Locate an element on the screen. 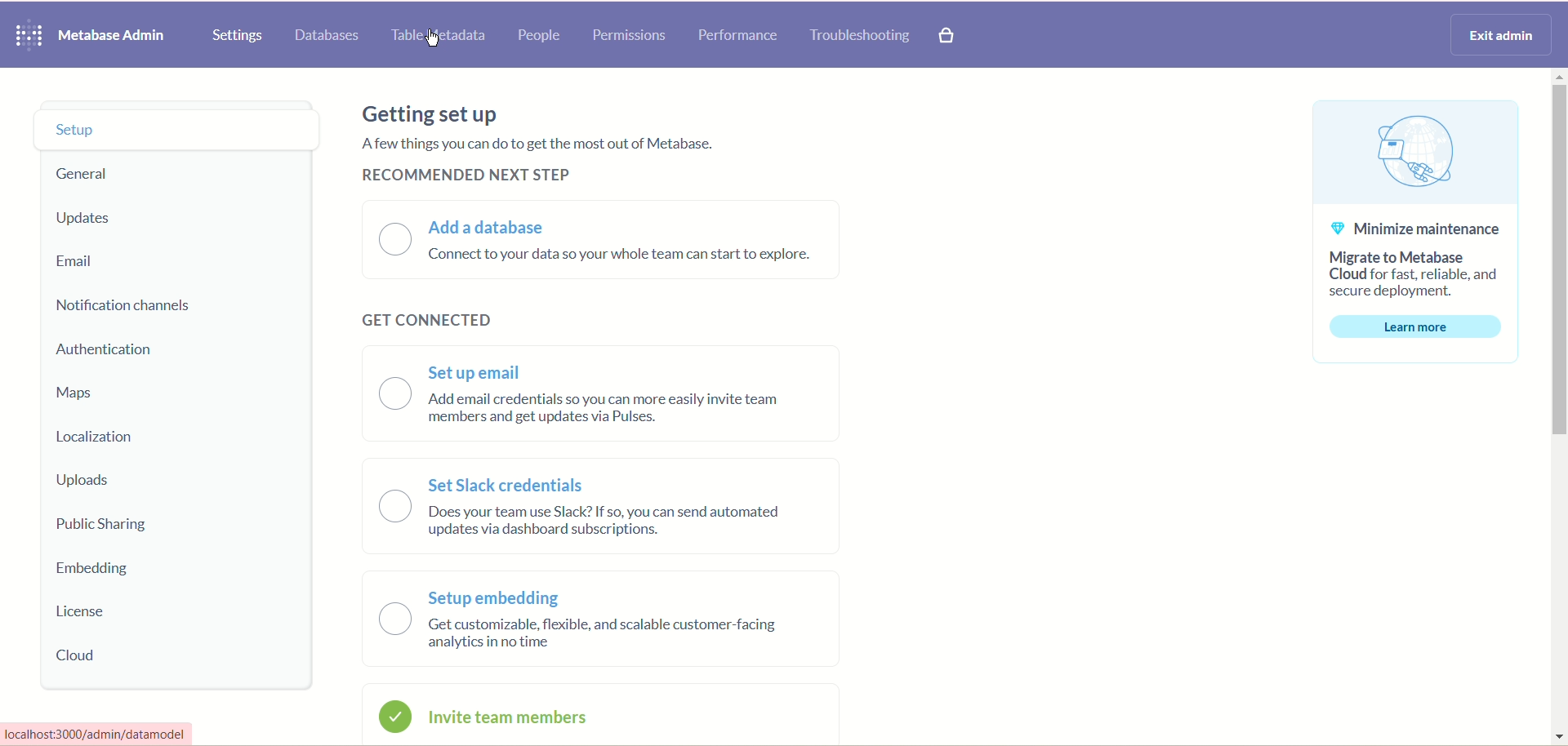 The width and height of the screenshot is (1568, 746). general is located at coordinates (80, 175).